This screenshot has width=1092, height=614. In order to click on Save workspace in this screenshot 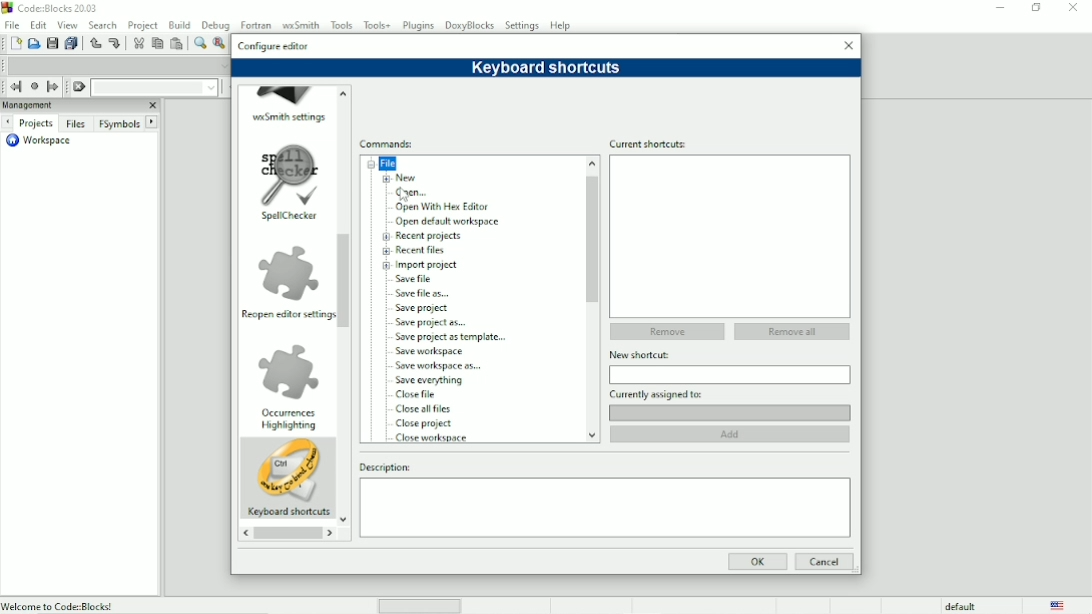, I will do `click(436, 351)`.